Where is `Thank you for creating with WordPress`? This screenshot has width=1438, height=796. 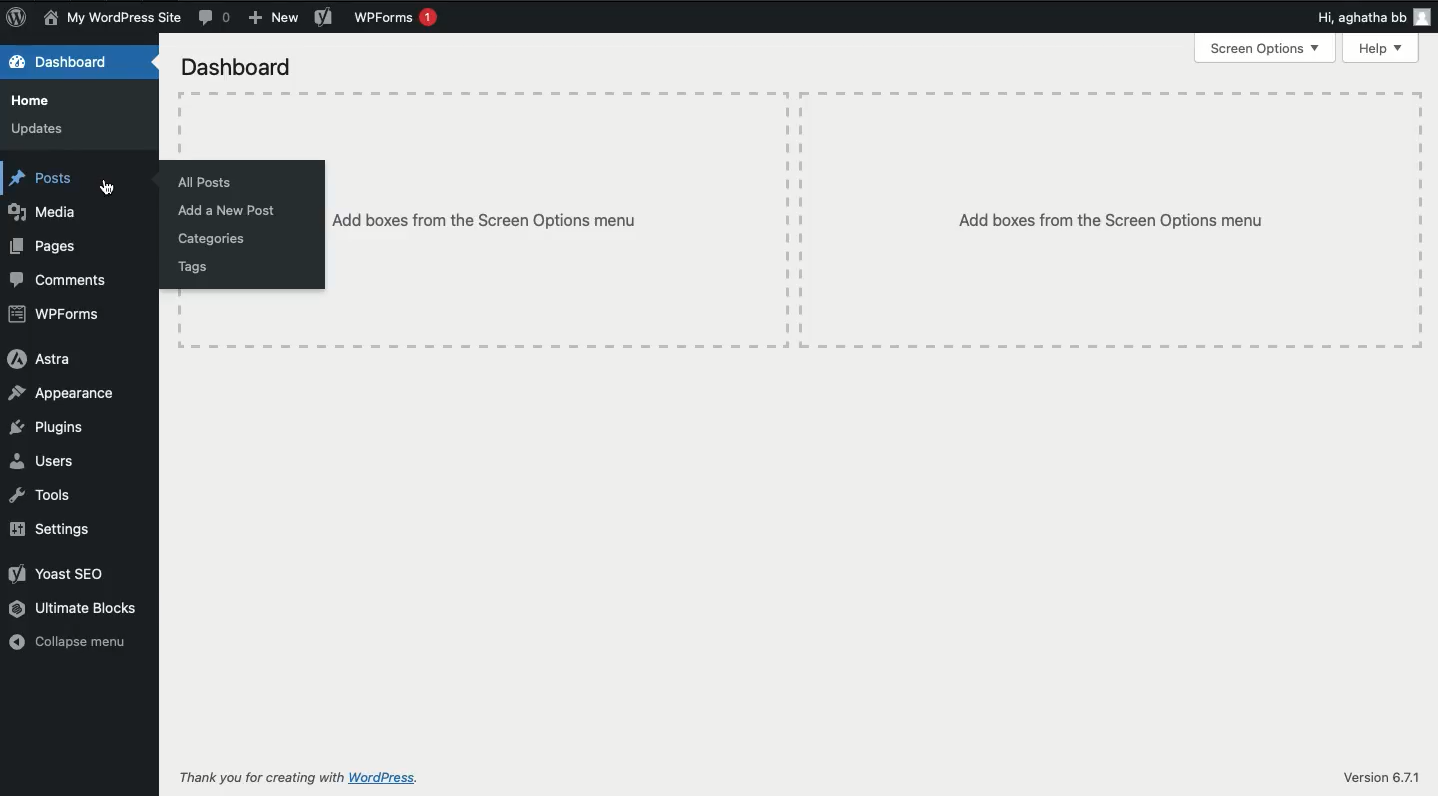 Thank you for creating with WordPress is located at coordinates (302, 780).